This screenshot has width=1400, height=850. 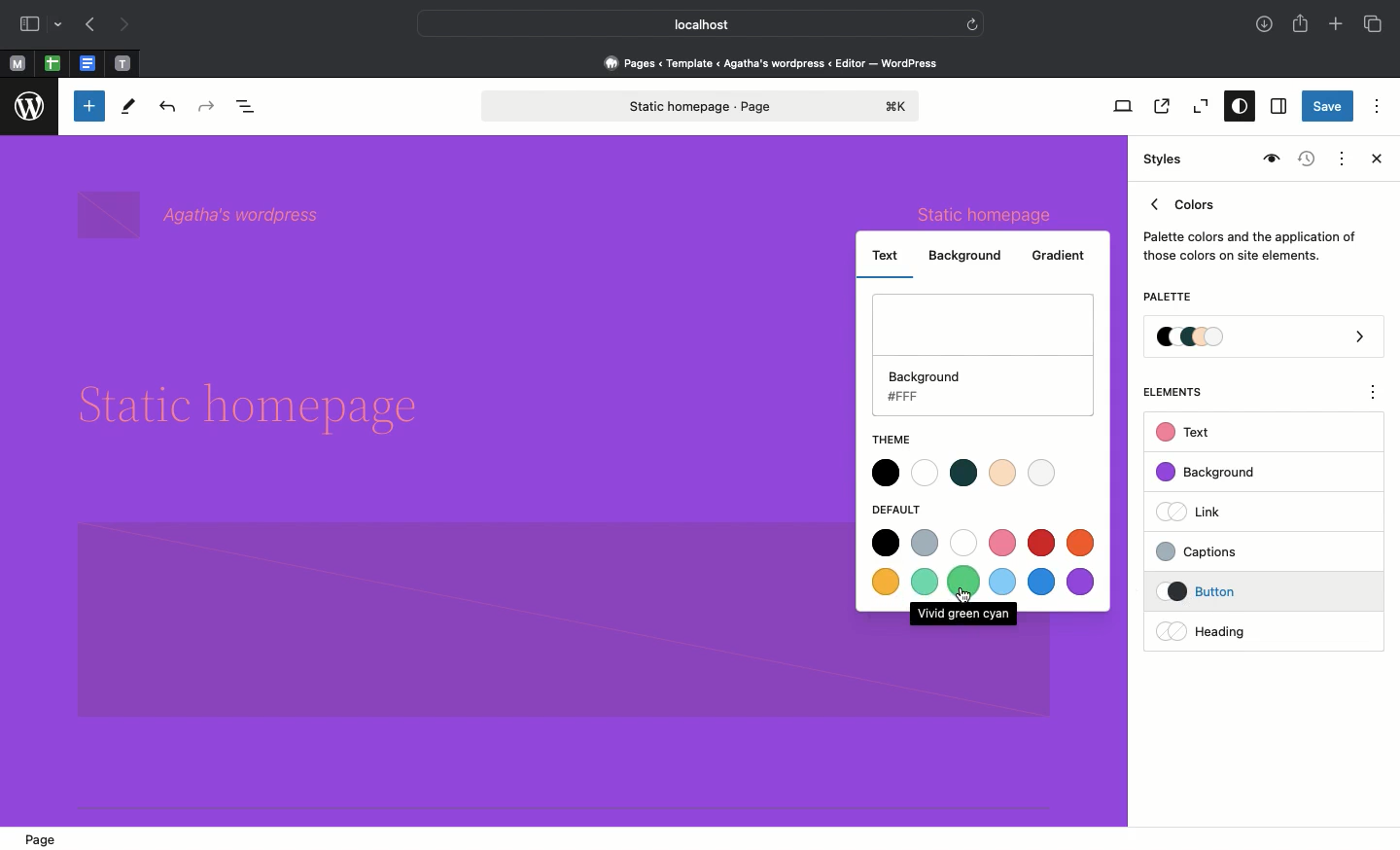 I want to click on Revisions, so click(x=1304, y=160).